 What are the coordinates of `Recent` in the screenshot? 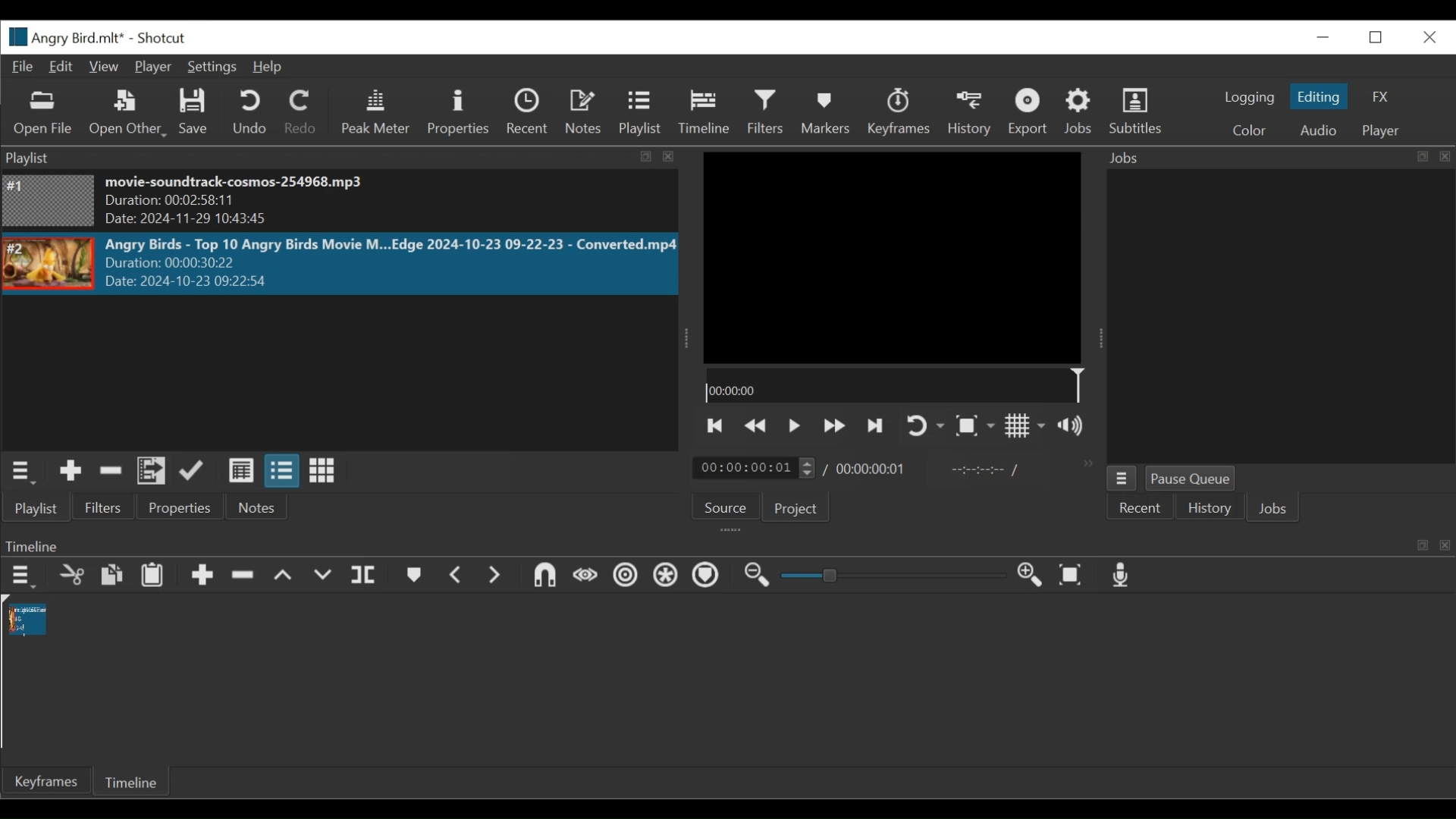 It's located at (527, 112).